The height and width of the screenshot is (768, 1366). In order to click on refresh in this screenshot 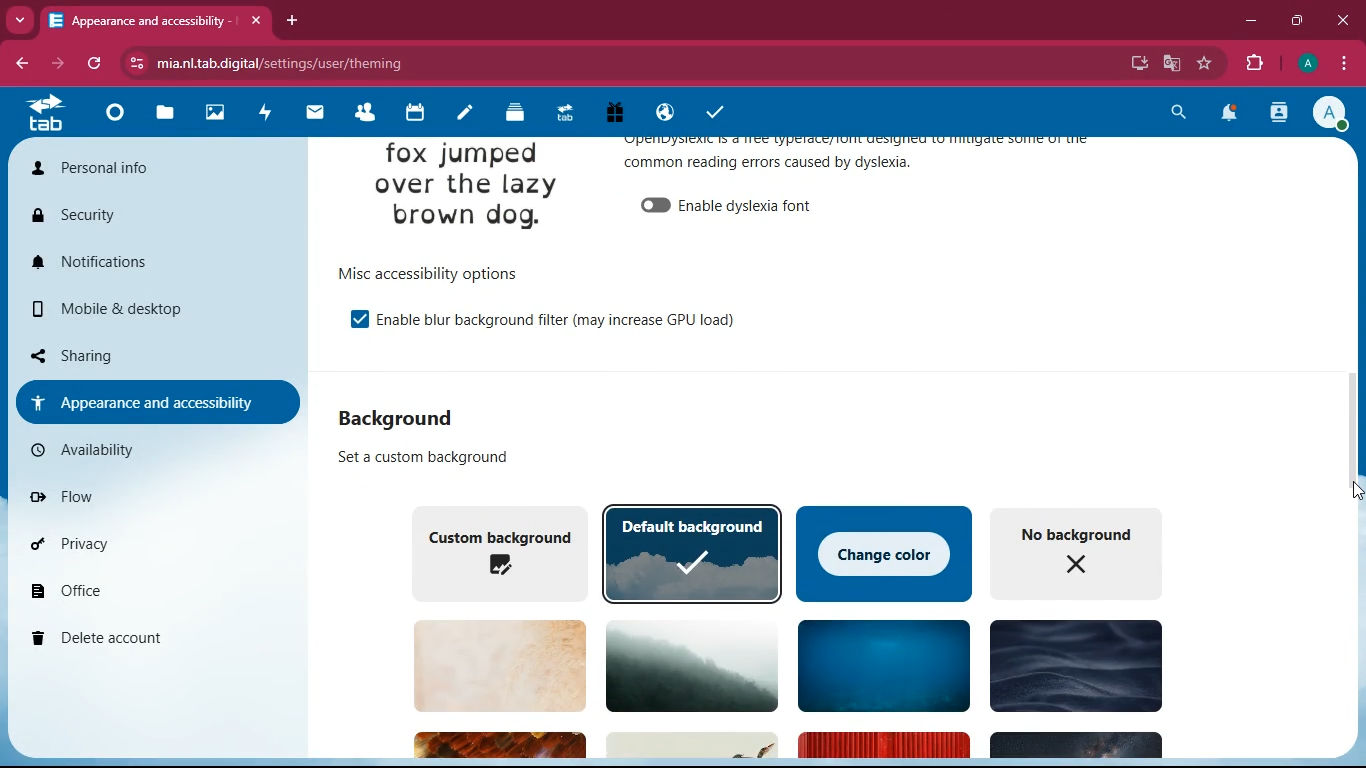, I will do `click(94, 63)`.